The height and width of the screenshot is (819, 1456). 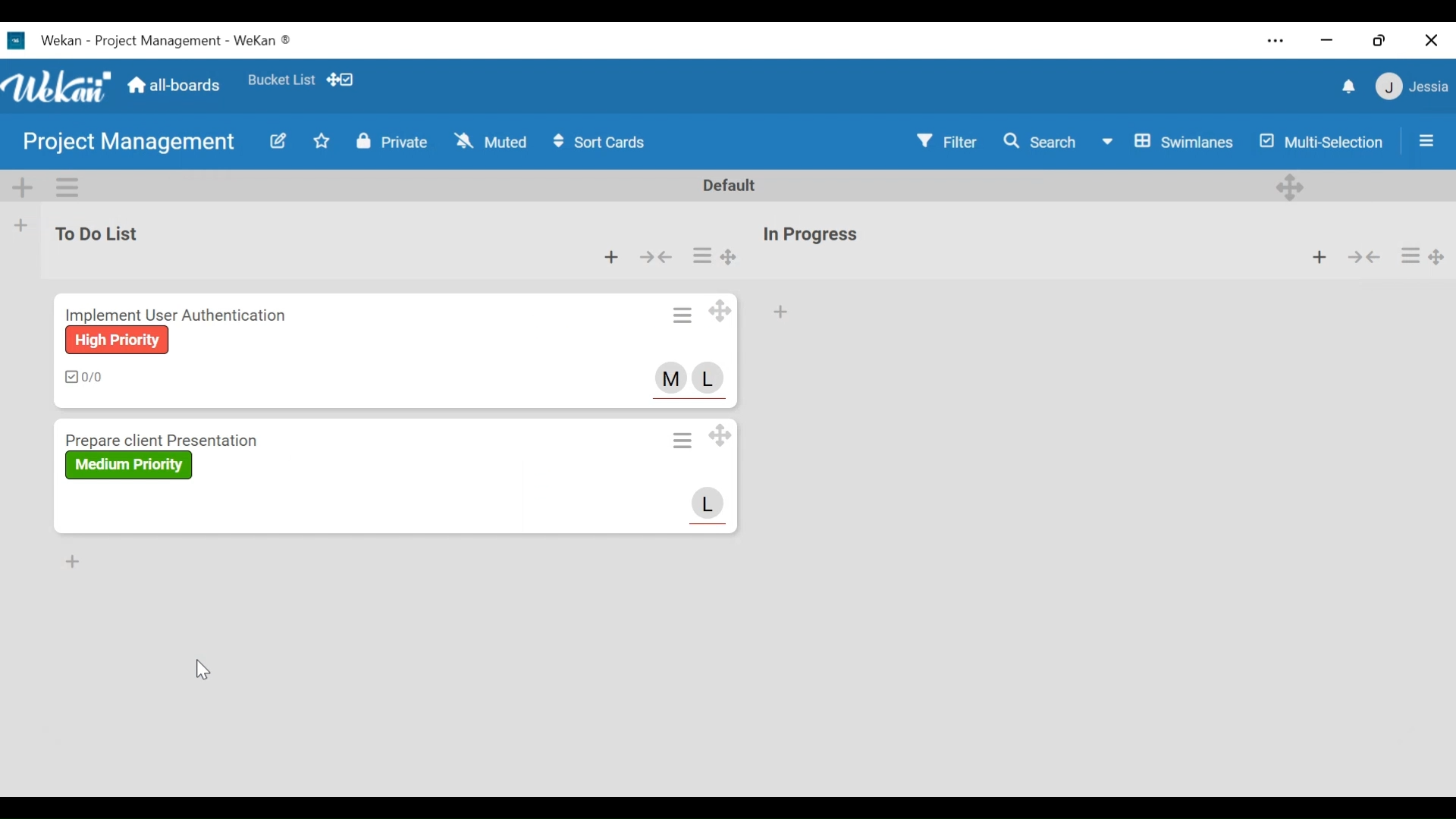 What do you see at coordinates (1426, 142) in the screenshot?
I see `Open/Close Sidebar` at bounding box center [1426, 142].